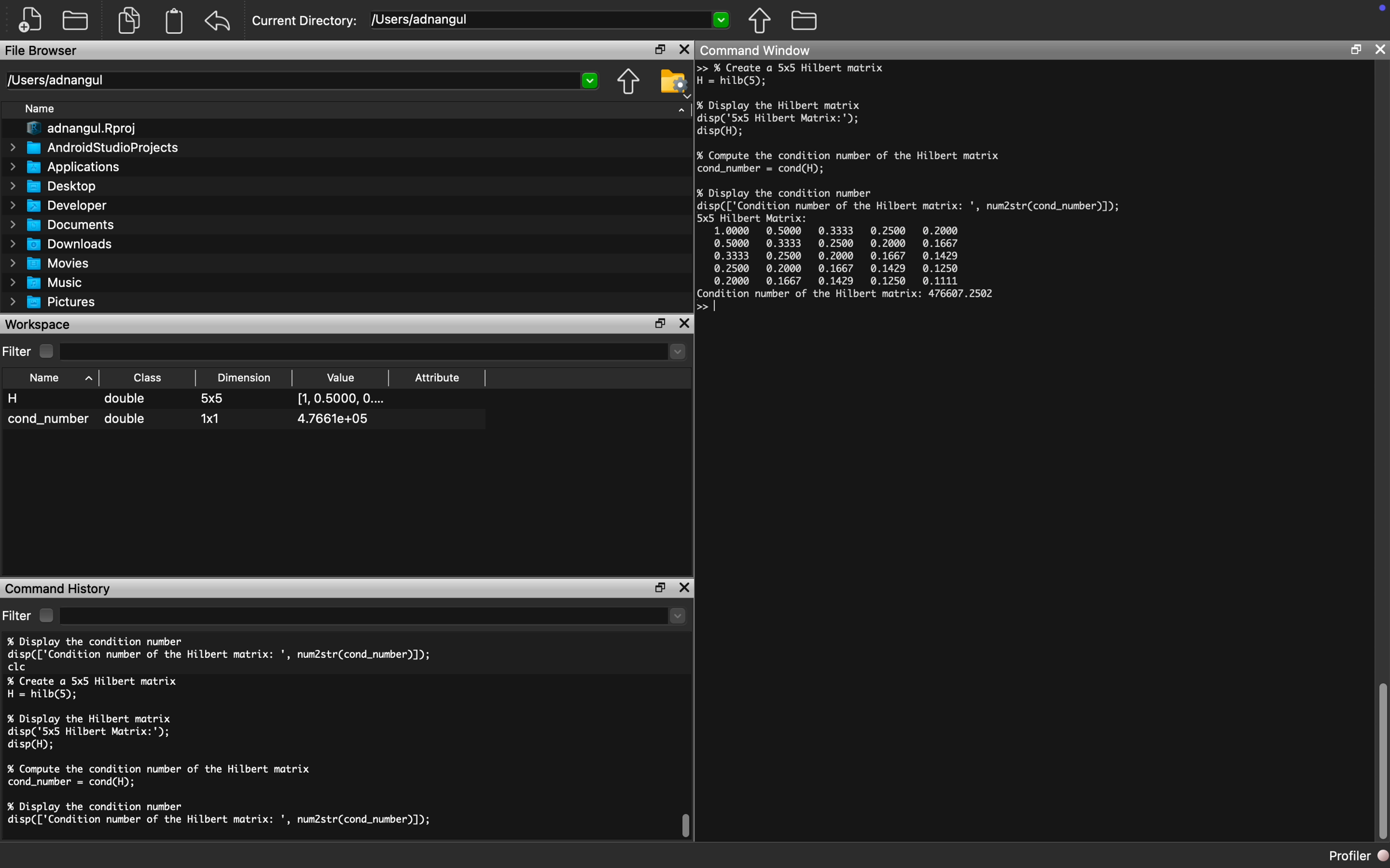  I want to click on Close, so click(1380, 50).